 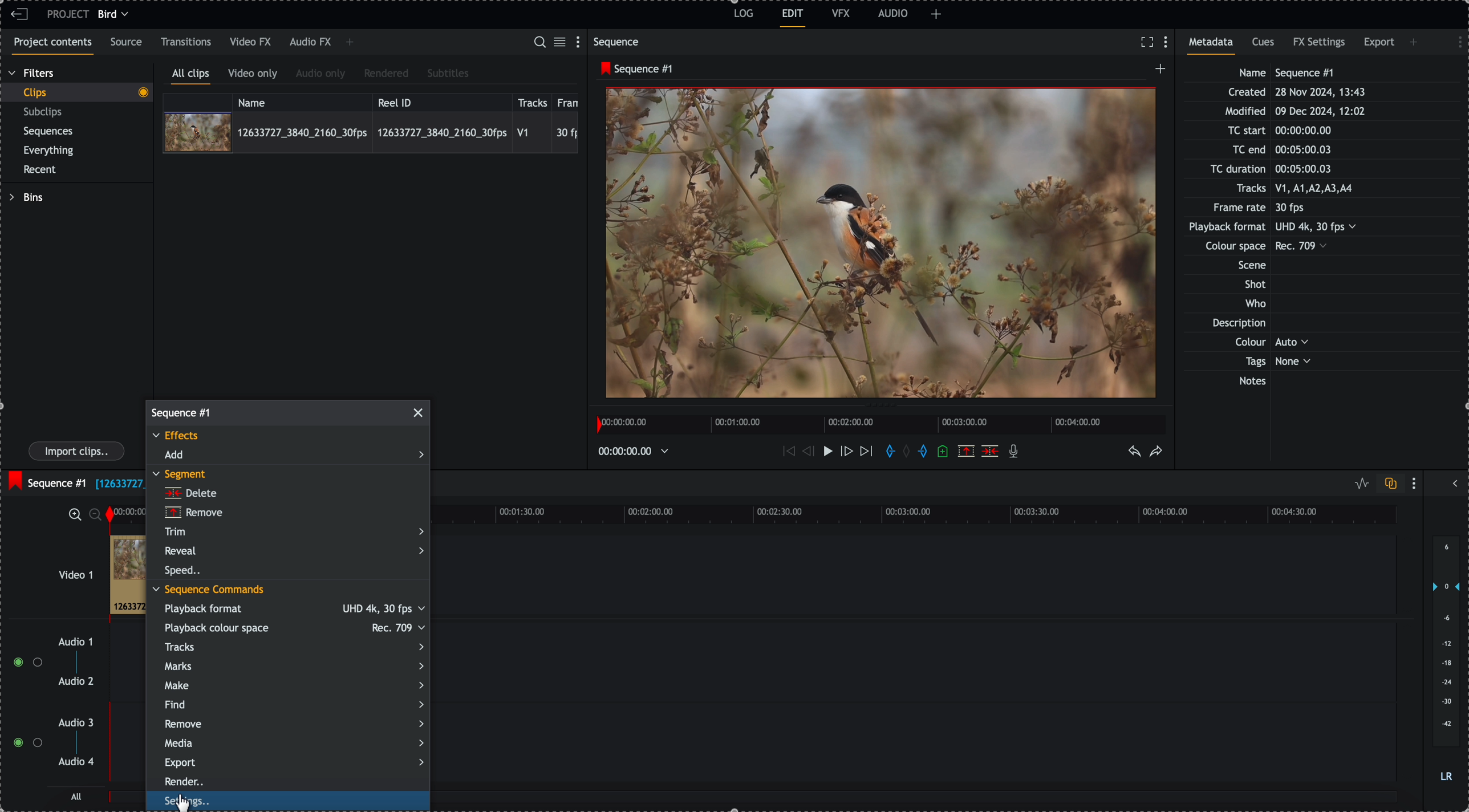 I want to click on find, so click(x=293, y=704).